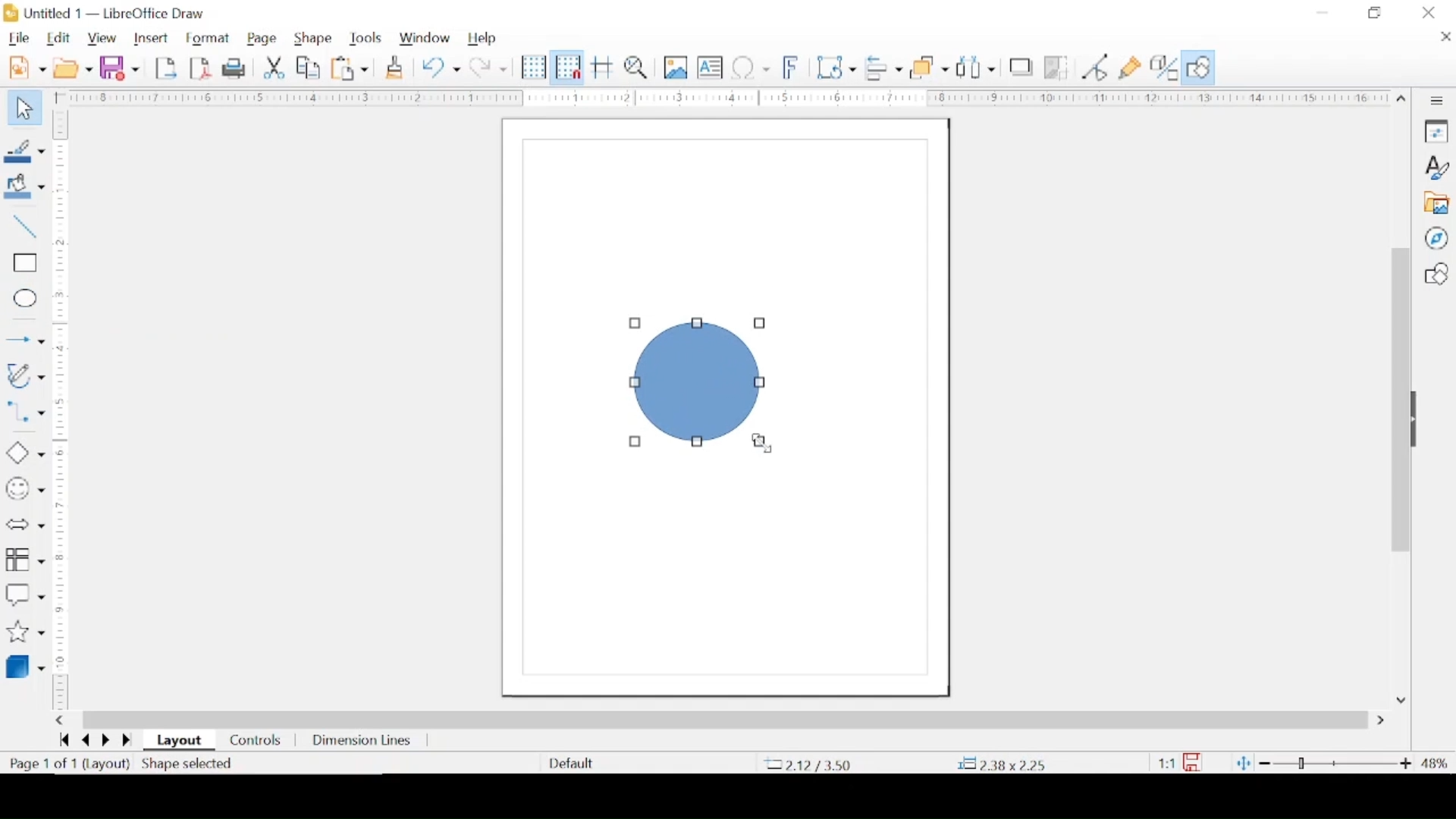 Image resolution: width=1456 pixels, height=819 pixels. Describe the element at coordinates (1438, 167) in the screenshot. I see `styles` at that location.